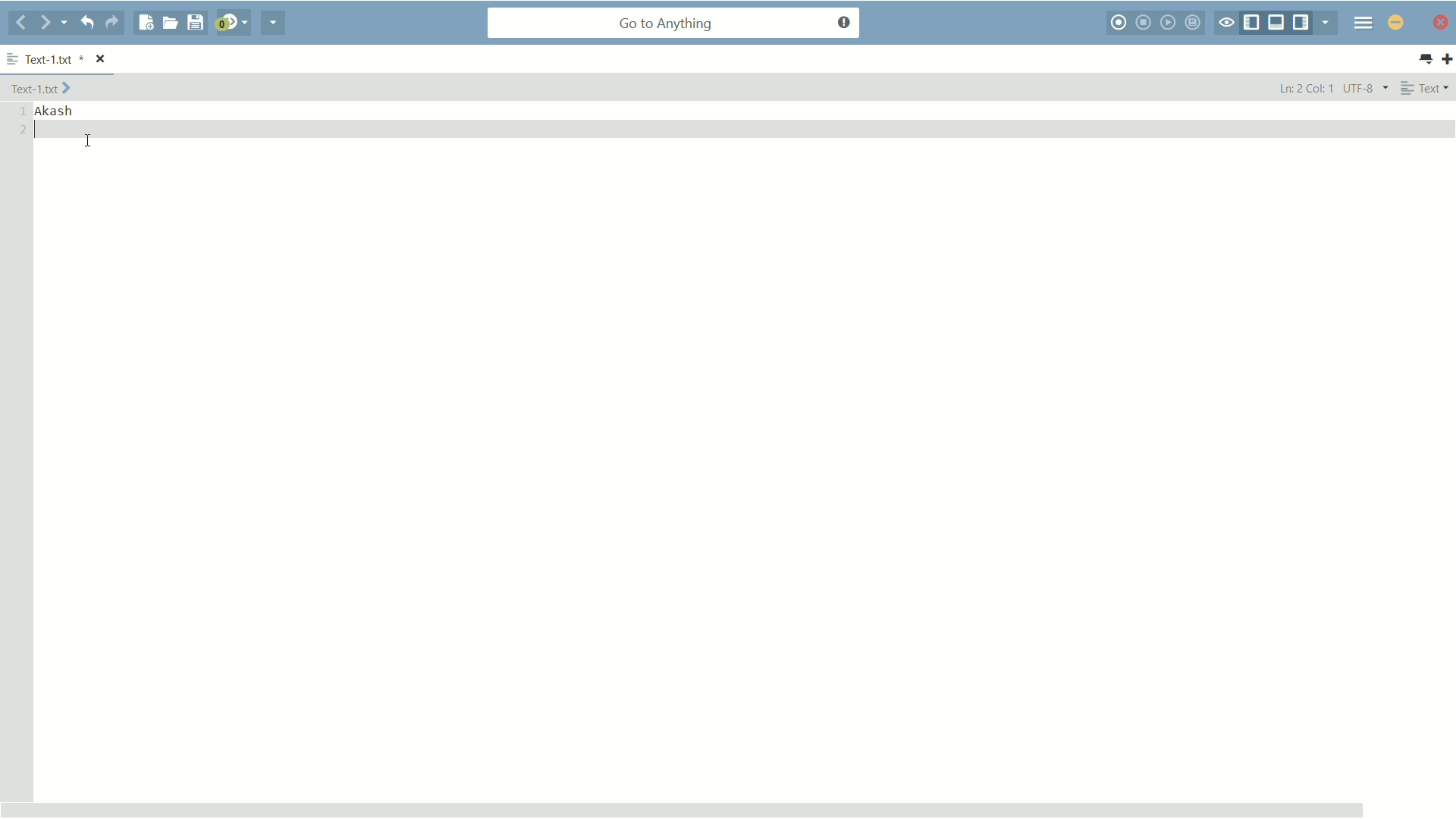 This screenshot has width=1456, height=819. Describe the element at coordinates (1426, 60) in the screenshot. I see `show all tab` at that location.